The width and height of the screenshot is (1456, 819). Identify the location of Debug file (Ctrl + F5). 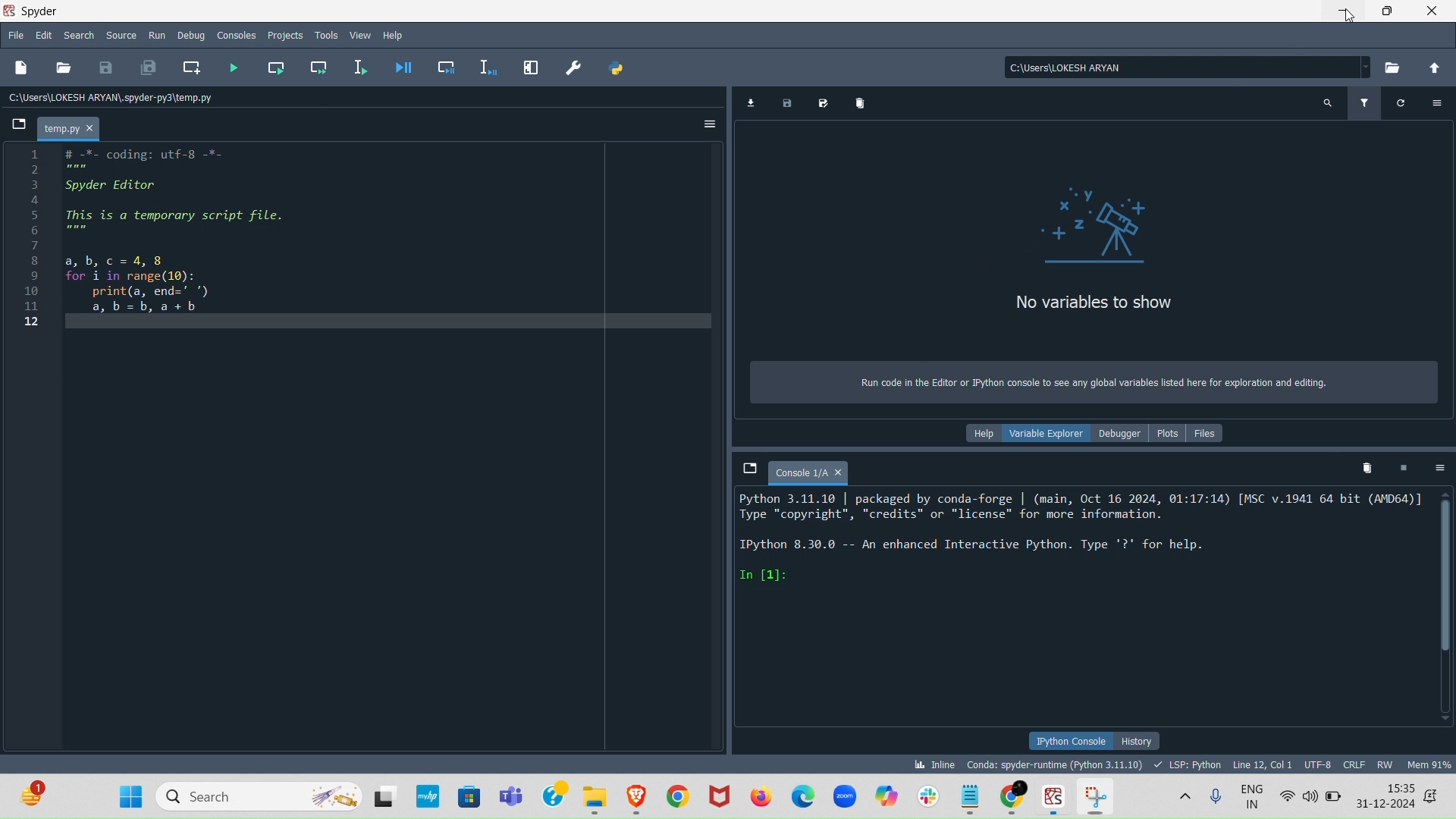
(405, 67).